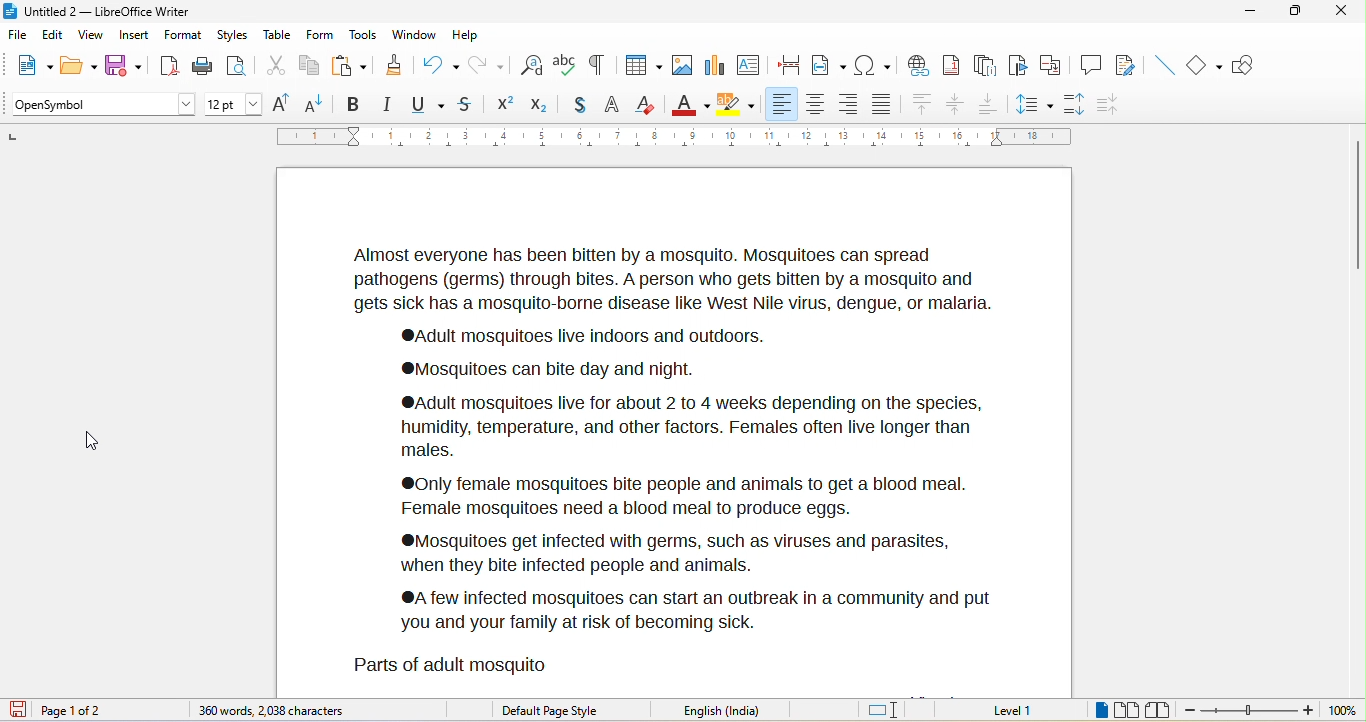 This screenshot has height=722, width=1366. Describe the element at coordinates (749, 63) in the screenshot. I see `text box` at that location.